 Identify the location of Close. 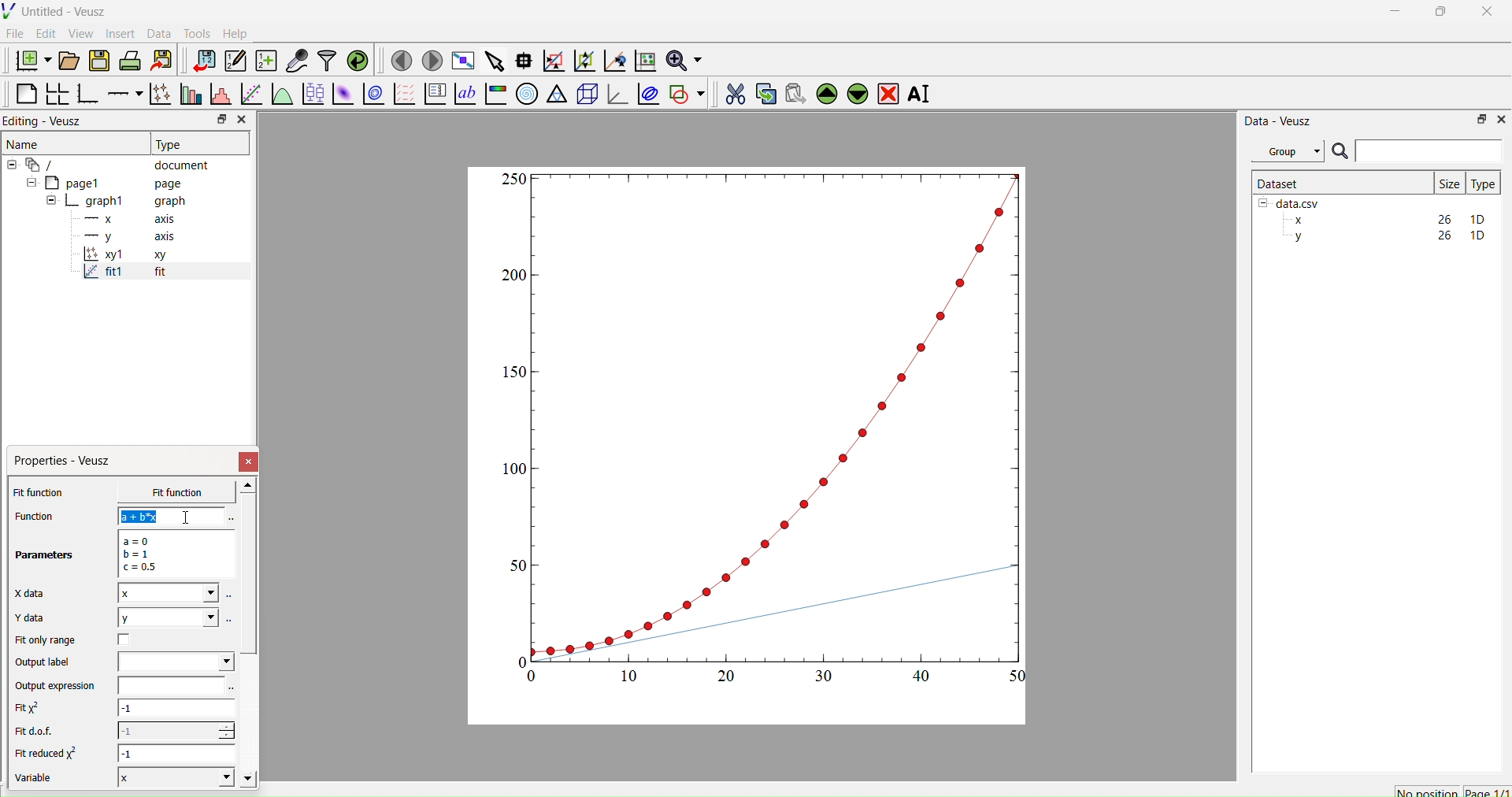
(250, 462).